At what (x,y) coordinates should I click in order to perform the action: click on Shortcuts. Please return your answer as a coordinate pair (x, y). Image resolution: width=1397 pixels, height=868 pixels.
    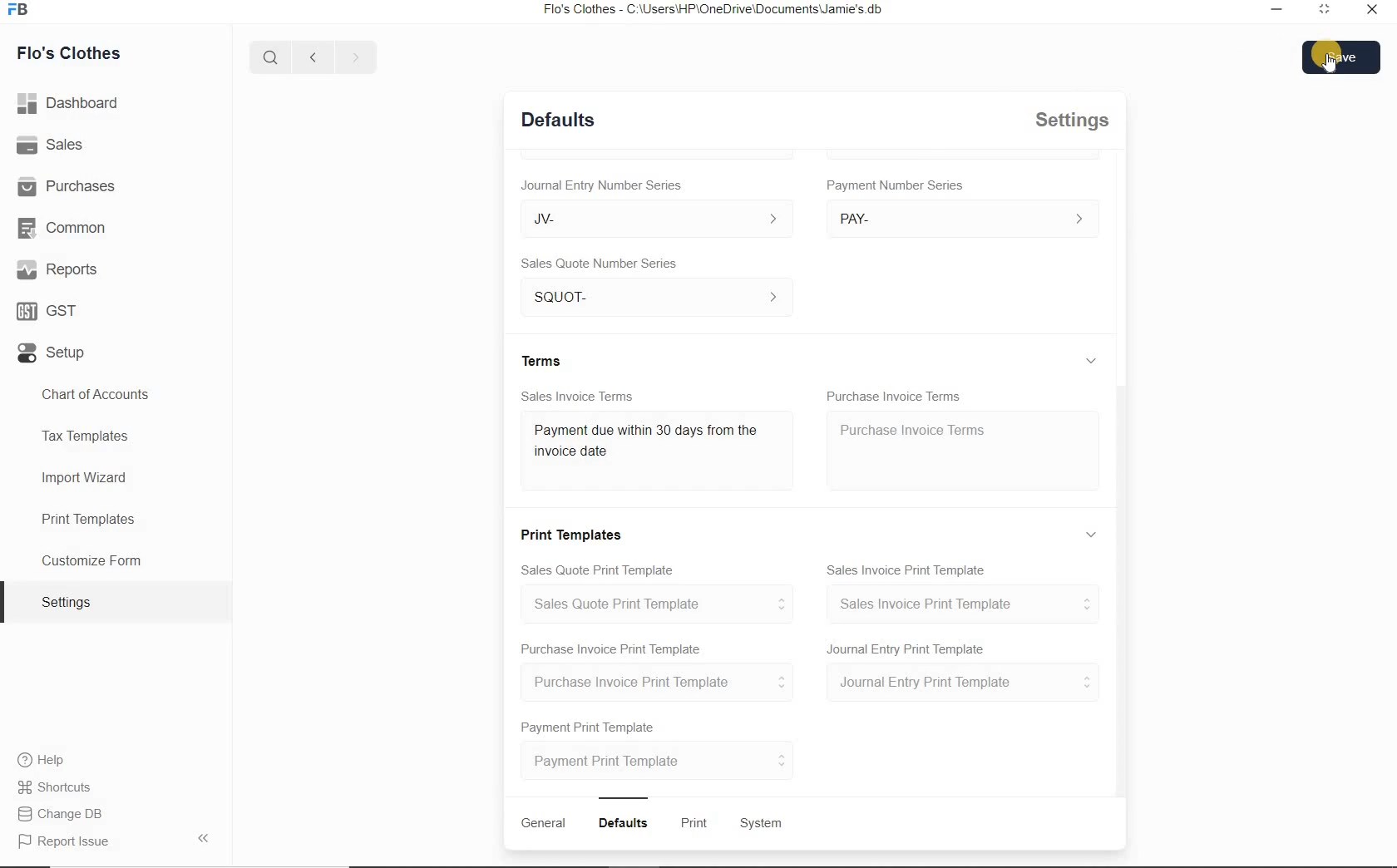
    Looking at the image, I should click on (56, 787).